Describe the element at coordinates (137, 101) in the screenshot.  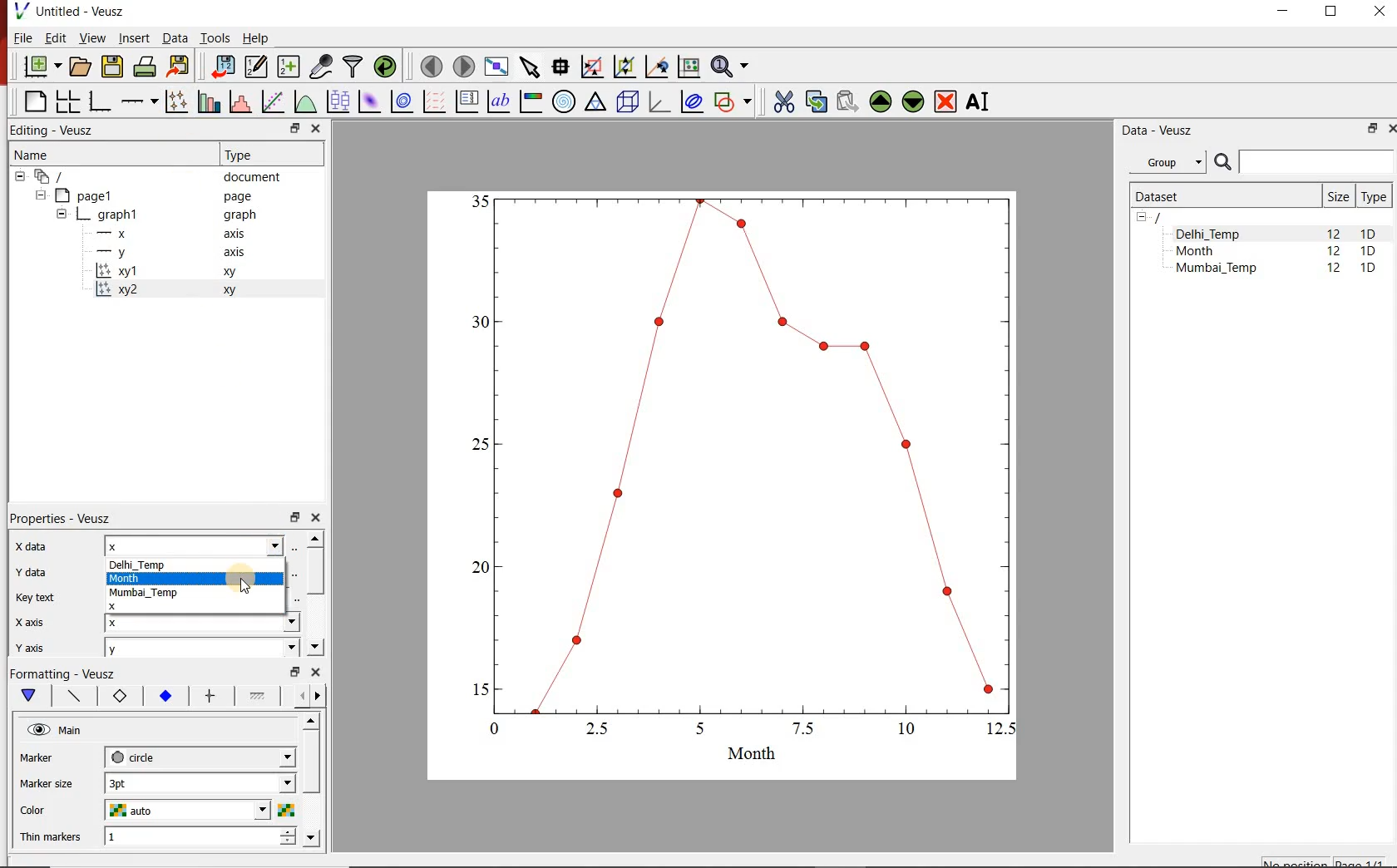
I see `Add an axis to the plot` at that location.